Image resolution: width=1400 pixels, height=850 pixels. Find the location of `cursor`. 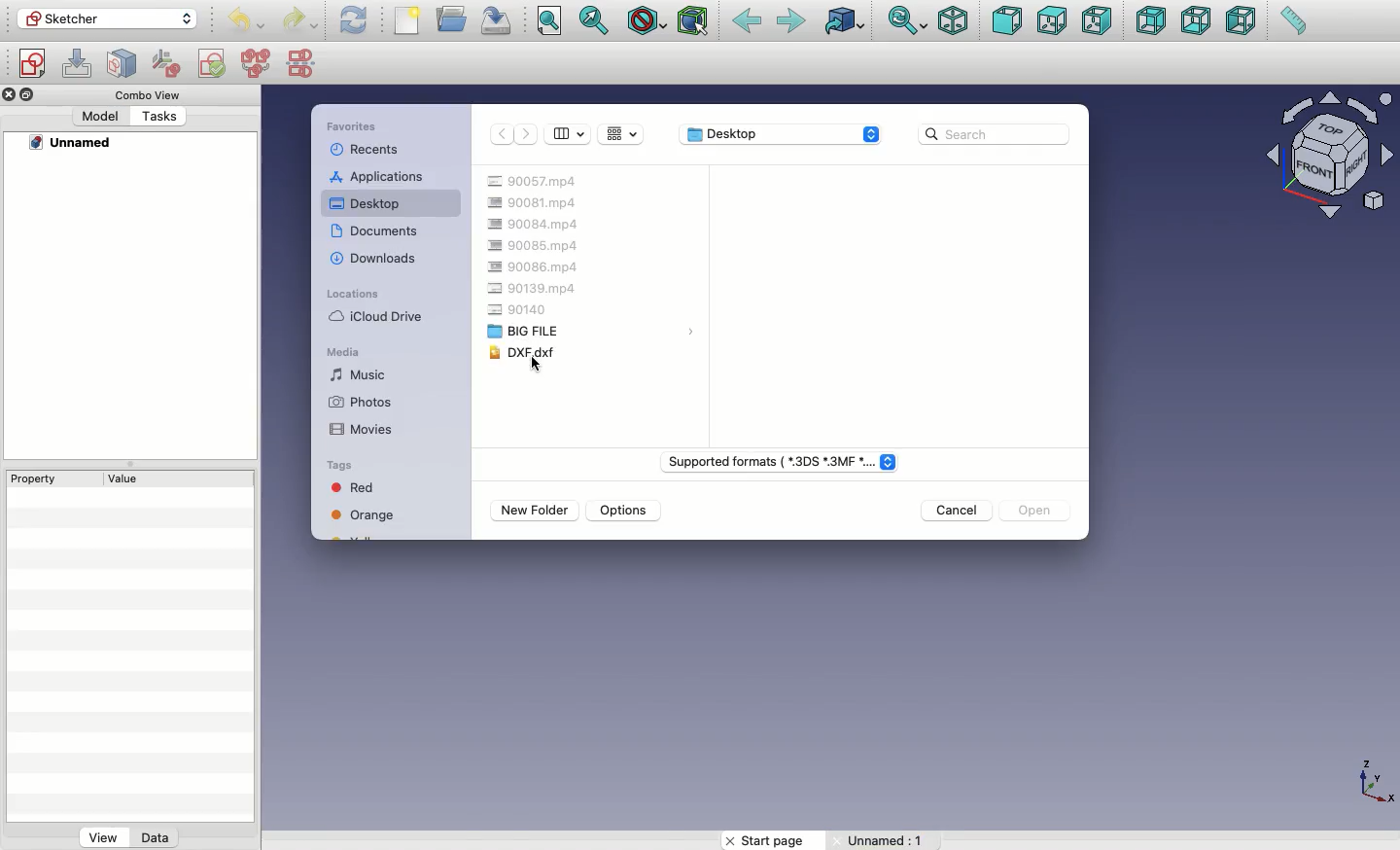

cursor is located at coordinates (539, 365).